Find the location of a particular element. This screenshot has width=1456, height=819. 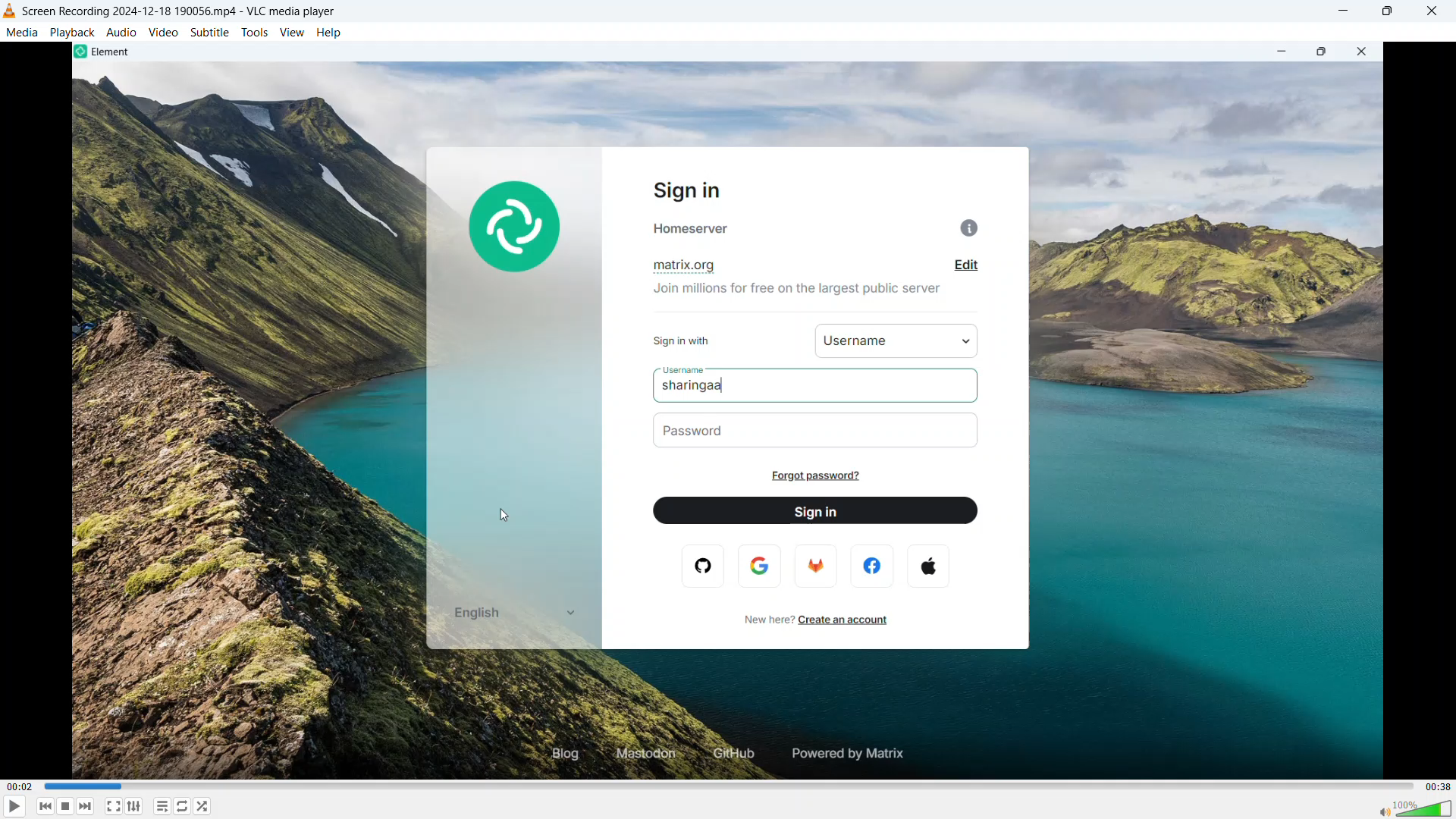

Playback  is located at coordinates (73, 32).